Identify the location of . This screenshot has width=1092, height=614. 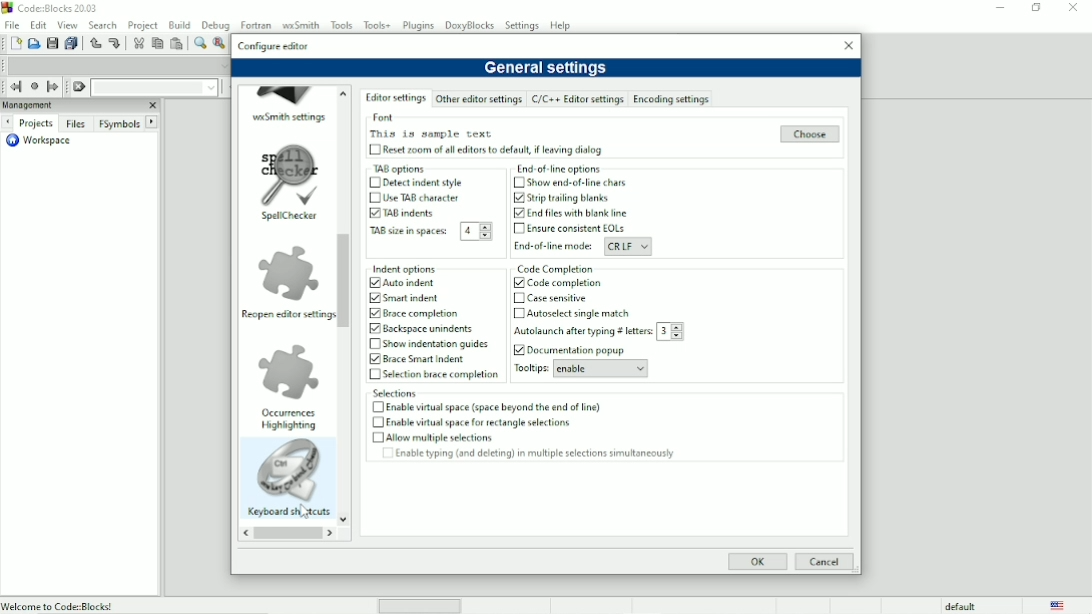
(374, 328).